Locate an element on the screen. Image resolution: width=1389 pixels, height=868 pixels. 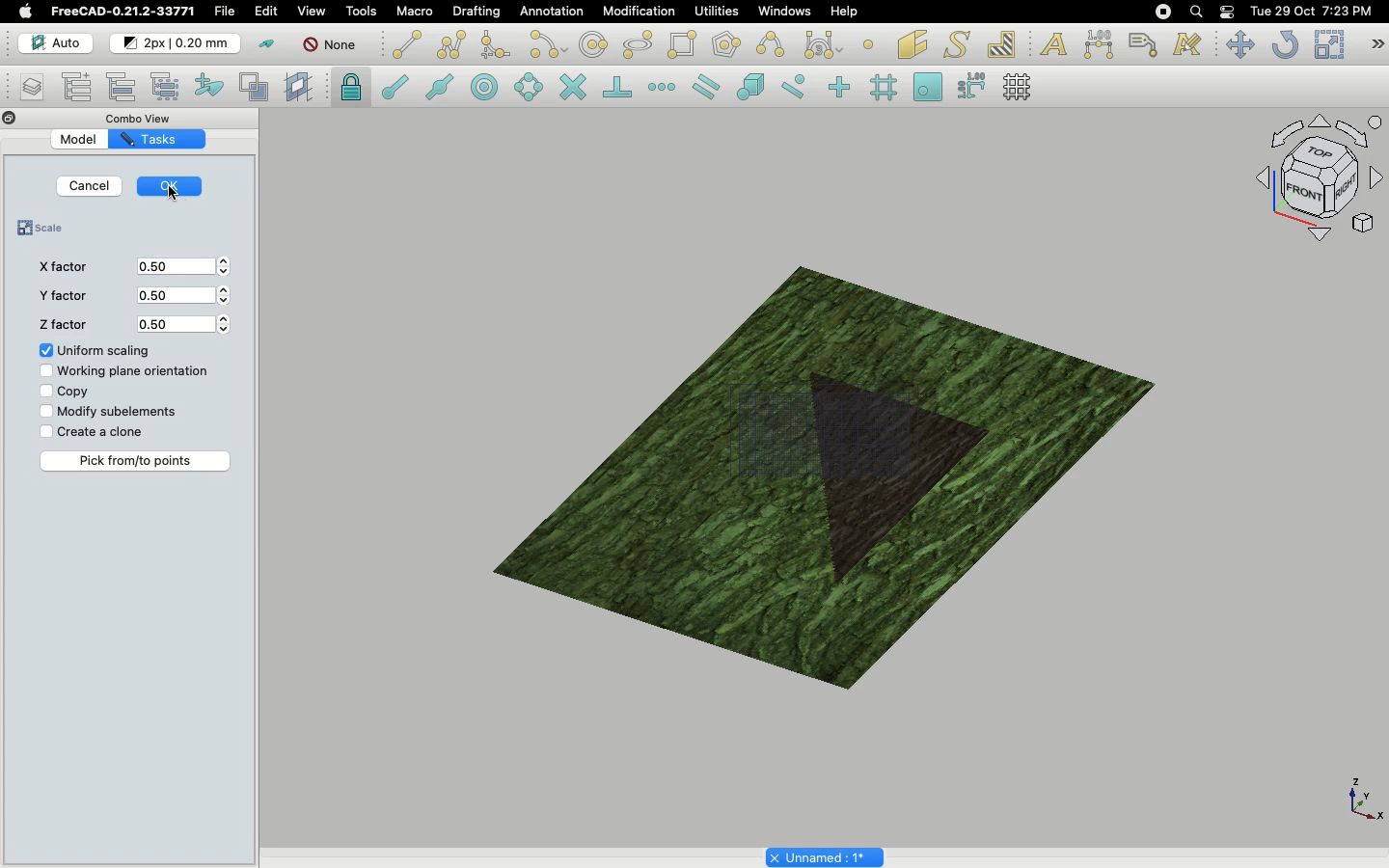
Close is located at coordinates (8, 118).